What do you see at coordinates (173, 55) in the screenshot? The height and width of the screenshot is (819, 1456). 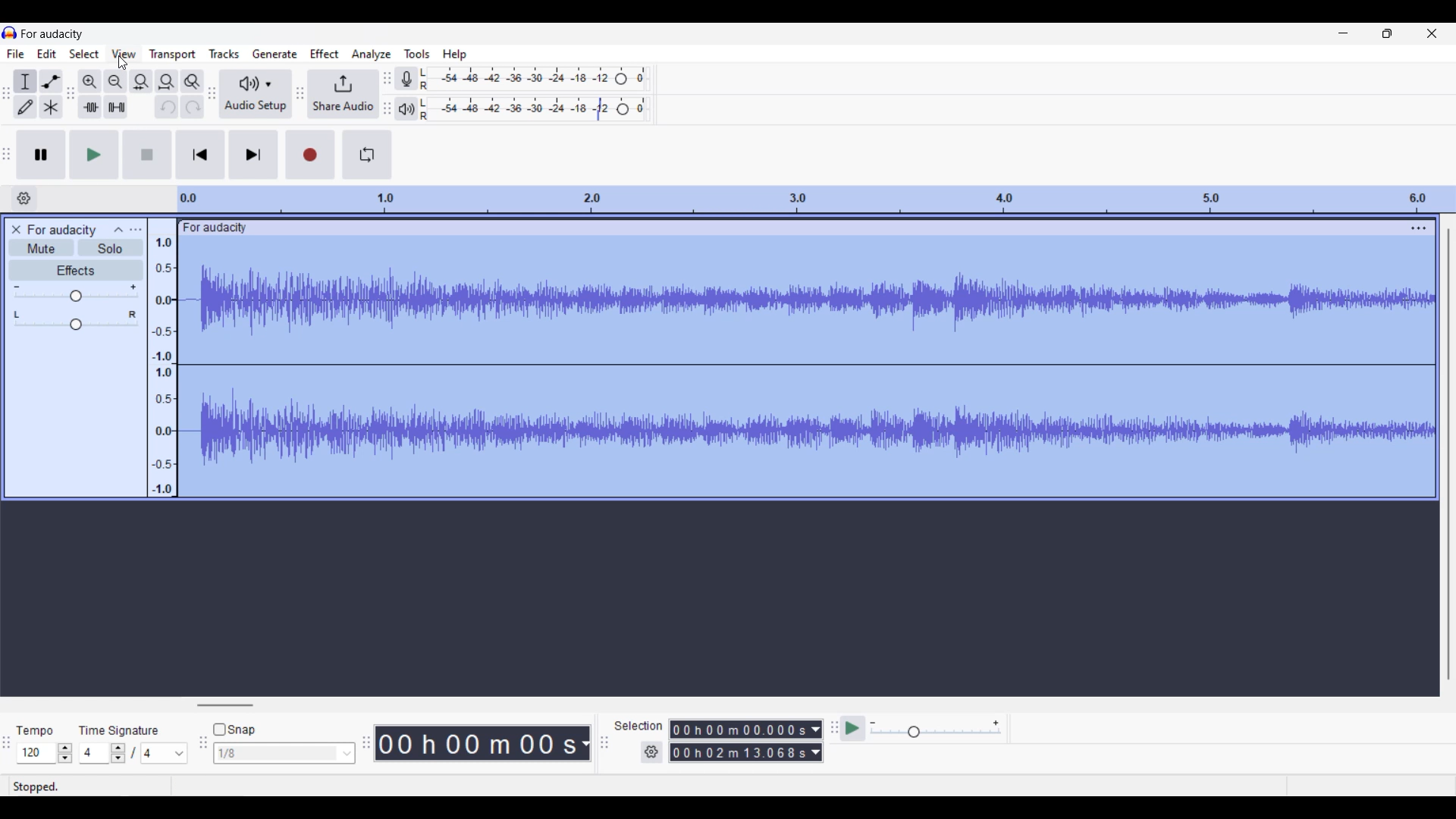 I see `Transport menu` at bounding box center [173, 55].